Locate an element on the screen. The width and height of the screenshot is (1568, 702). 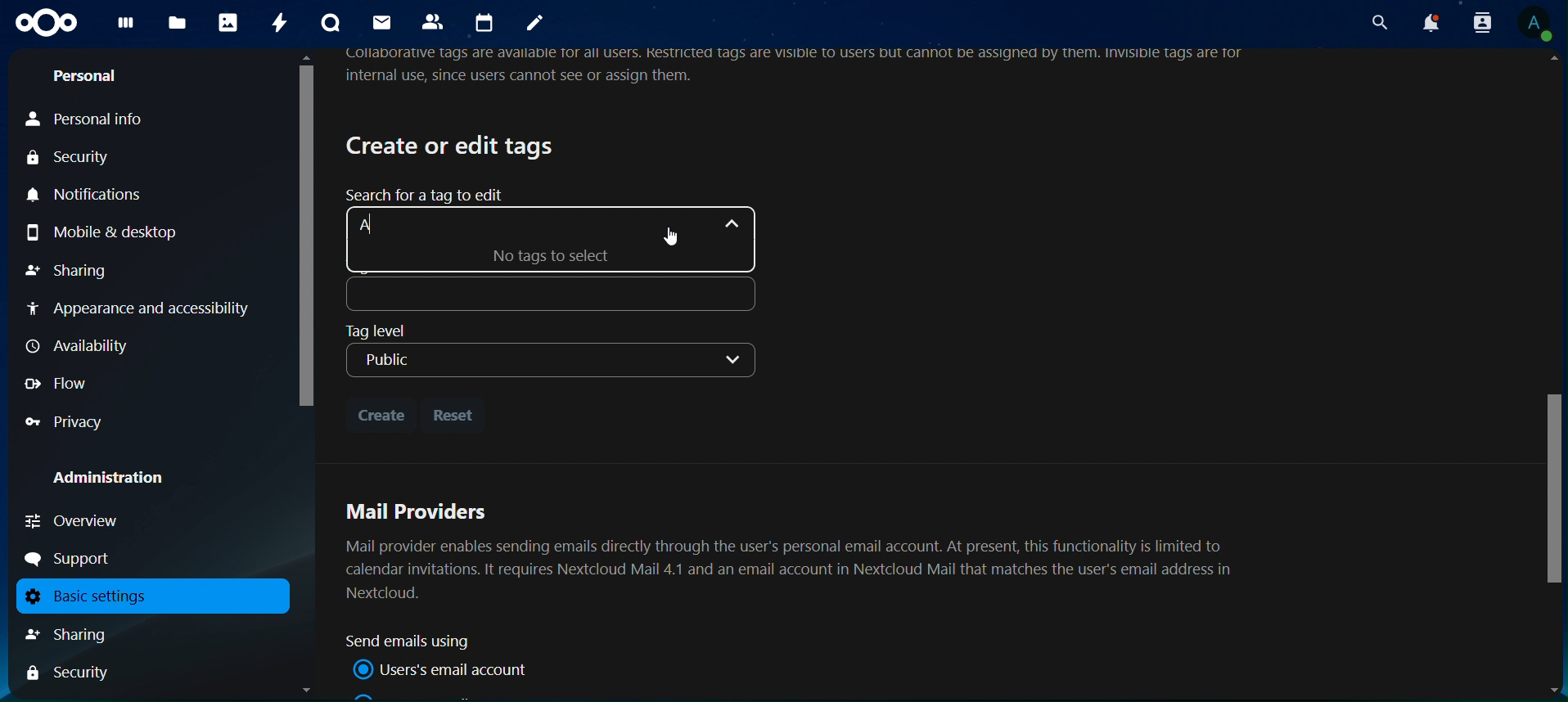
user mail account is located at coordinates (445, 669).